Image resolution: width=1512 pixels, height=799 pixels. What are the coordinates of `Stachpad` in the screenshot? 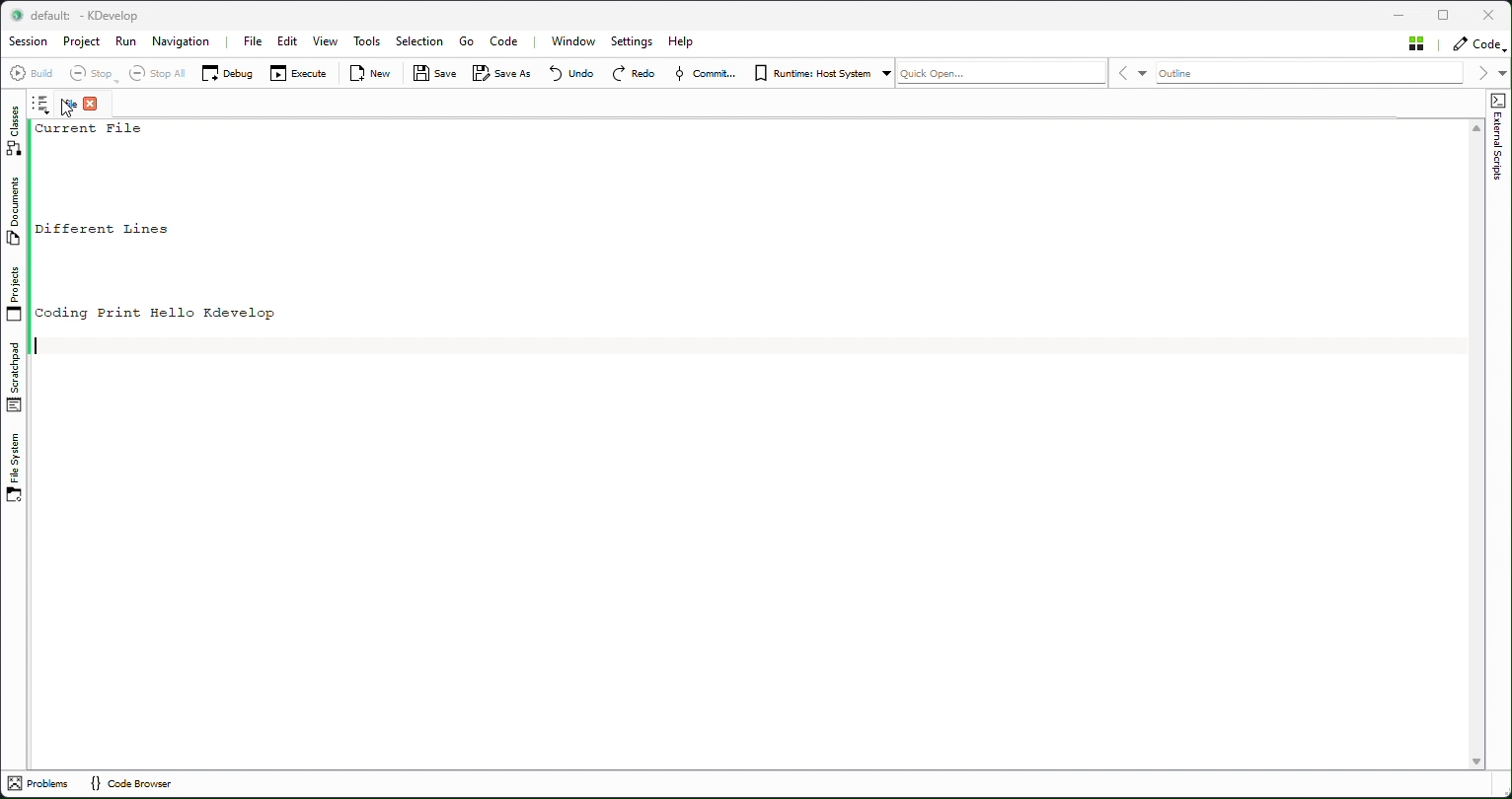 It's located at (14, 380).